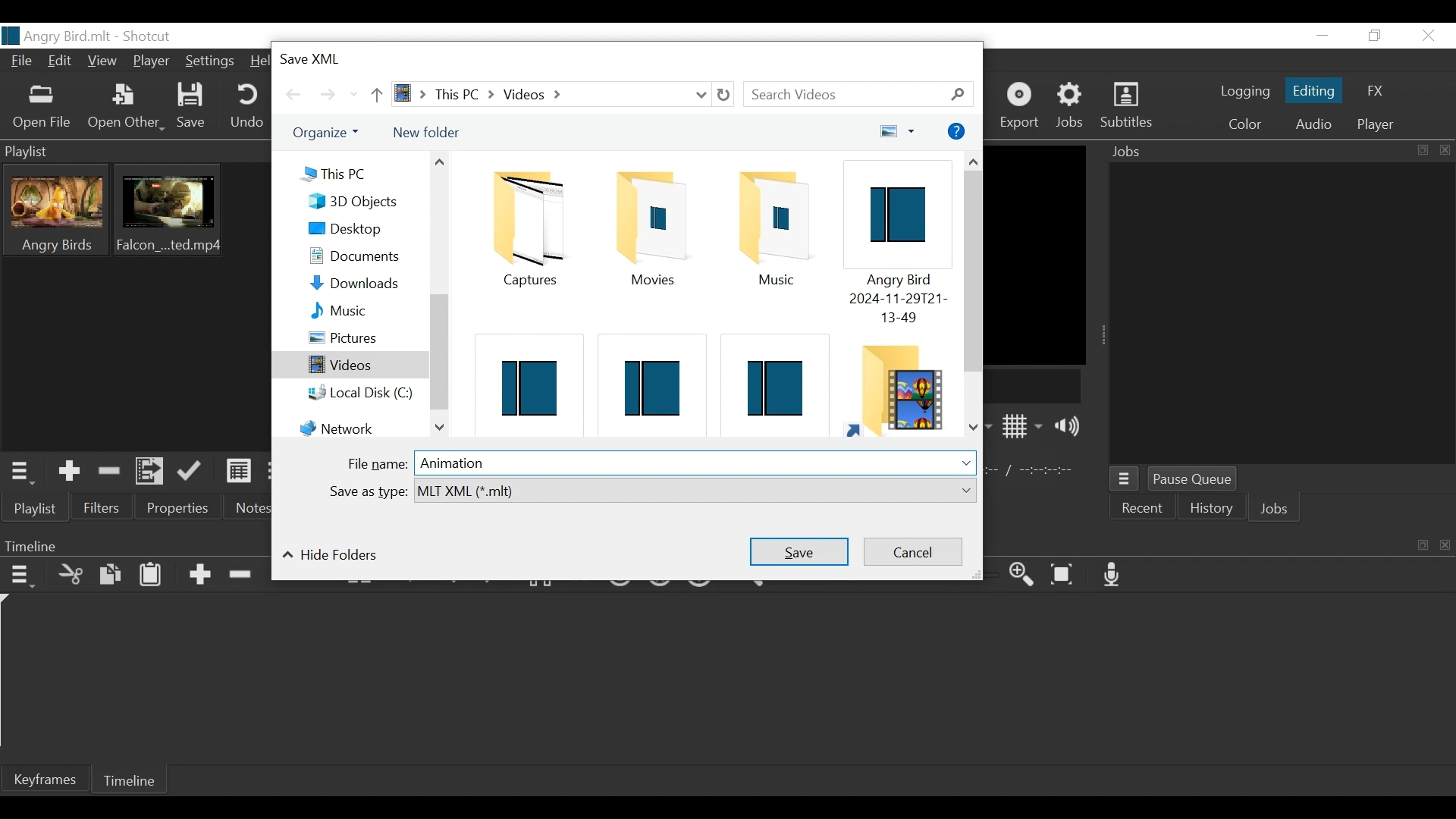 This screenshot has height=819, width=1456. I want to click on logging, so click(1241, 93).